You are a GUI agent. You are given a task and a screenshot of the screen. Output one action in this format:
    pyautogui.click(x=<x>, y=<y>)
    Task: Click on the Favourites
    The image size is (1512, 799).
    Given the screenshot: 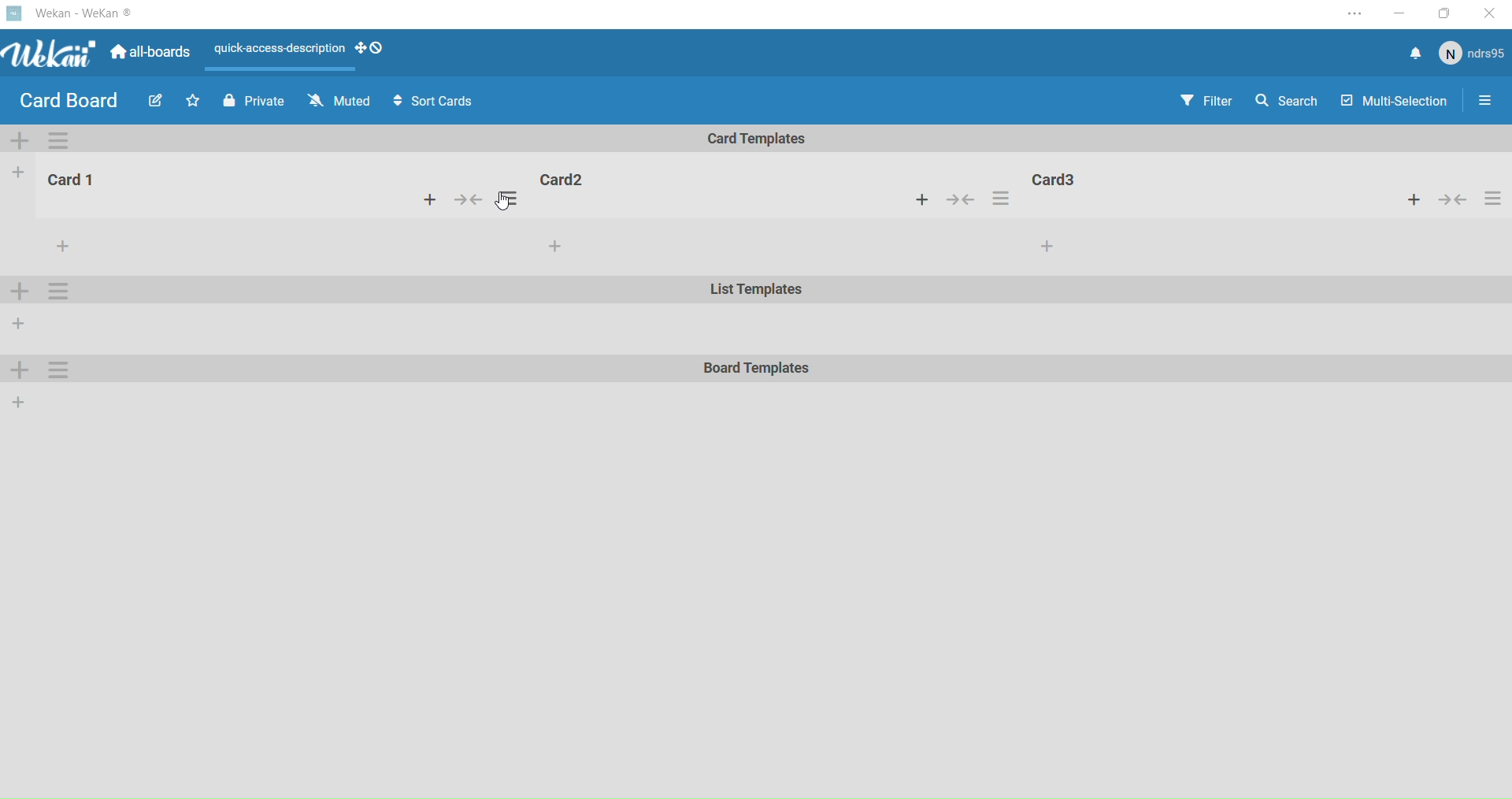 What is the action you would take?
    pyautogui.click(x=194, y=101)
    